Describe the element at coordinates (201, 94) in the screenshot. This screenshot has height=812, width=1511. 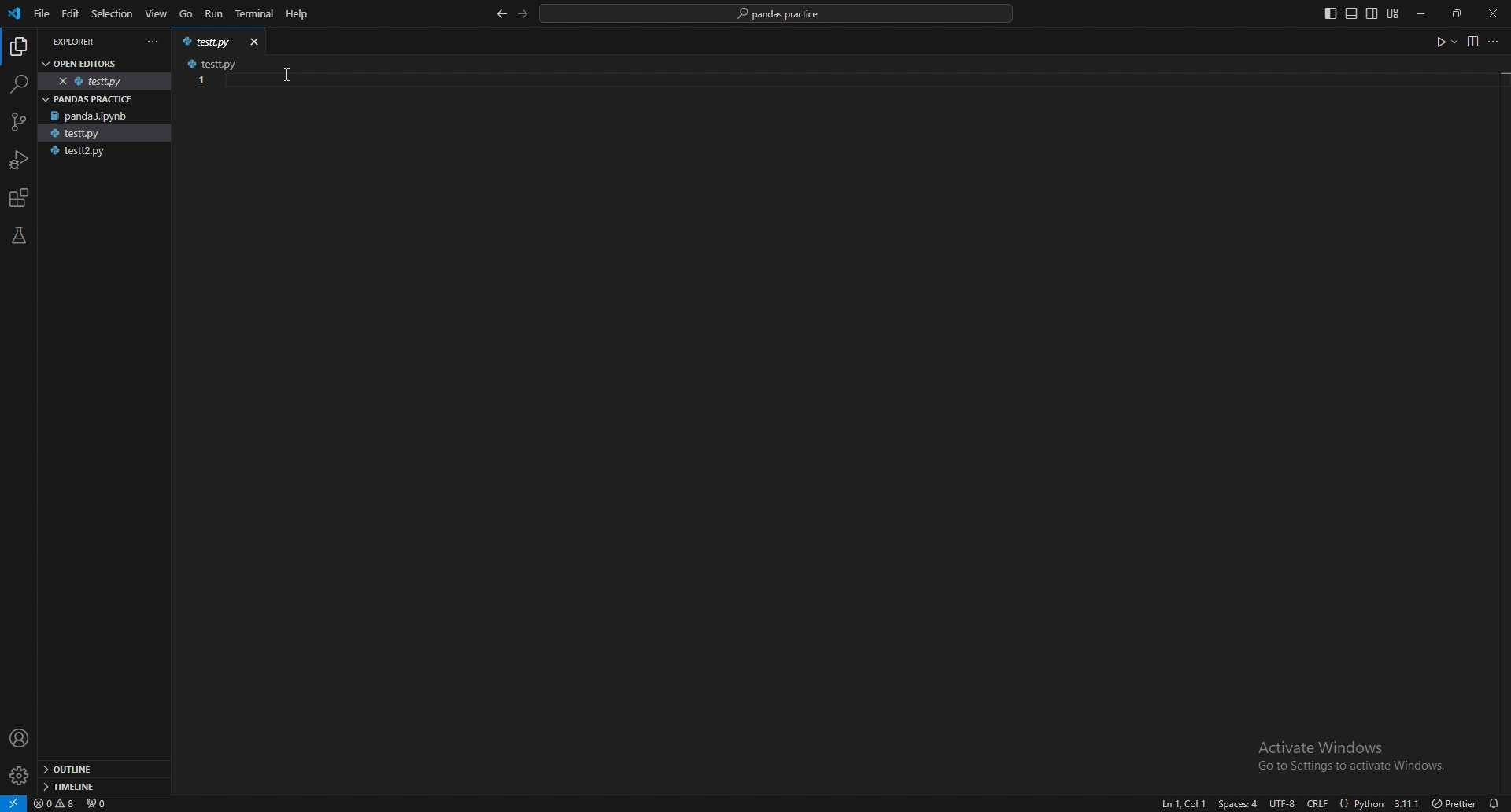
I see `scale` at that location.